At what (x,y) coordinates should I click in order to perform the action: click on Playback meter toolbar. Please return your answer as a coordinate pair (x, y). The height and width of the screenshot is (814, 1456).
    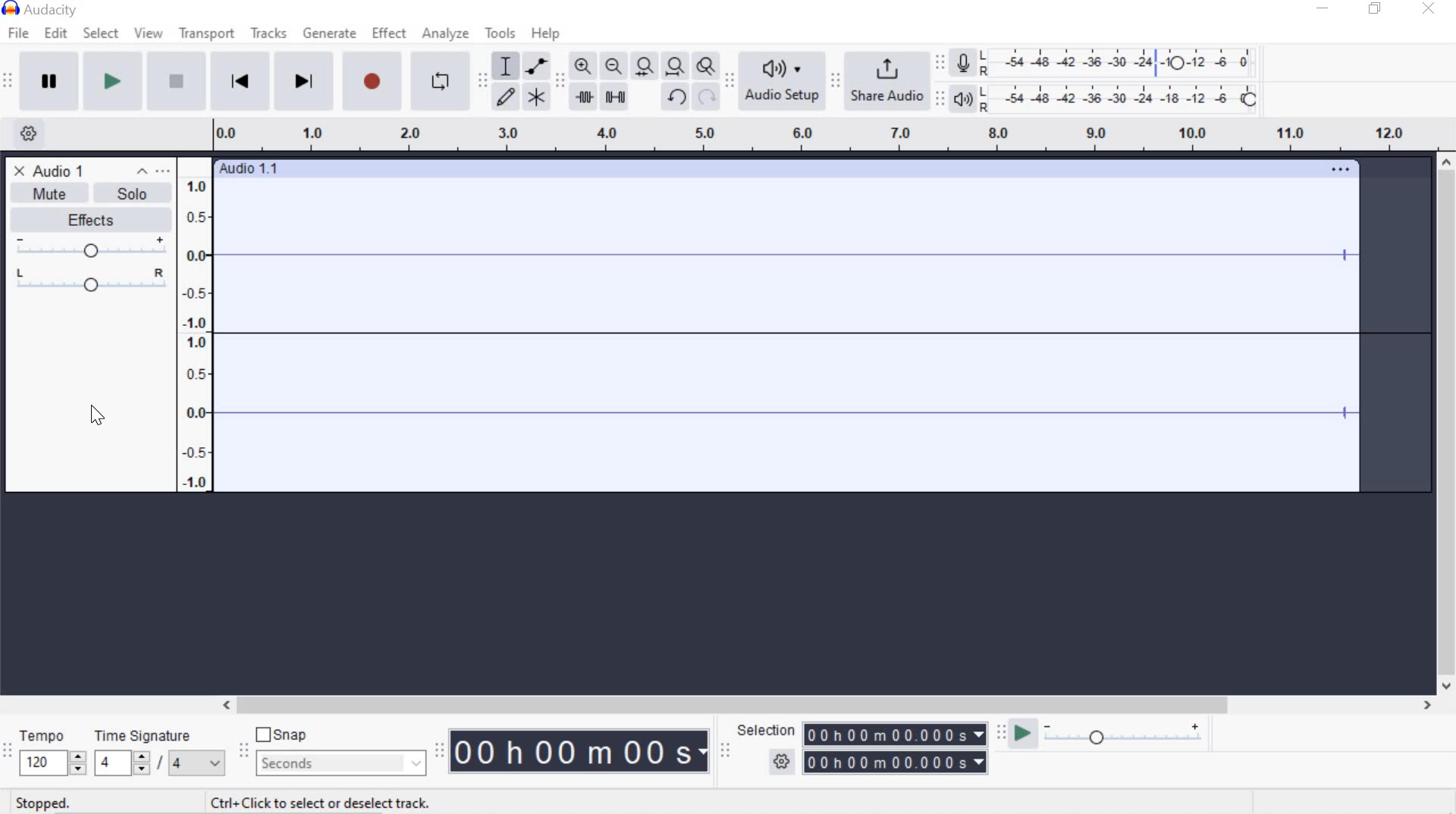
    Looking at the image, I should click on (943, 97).